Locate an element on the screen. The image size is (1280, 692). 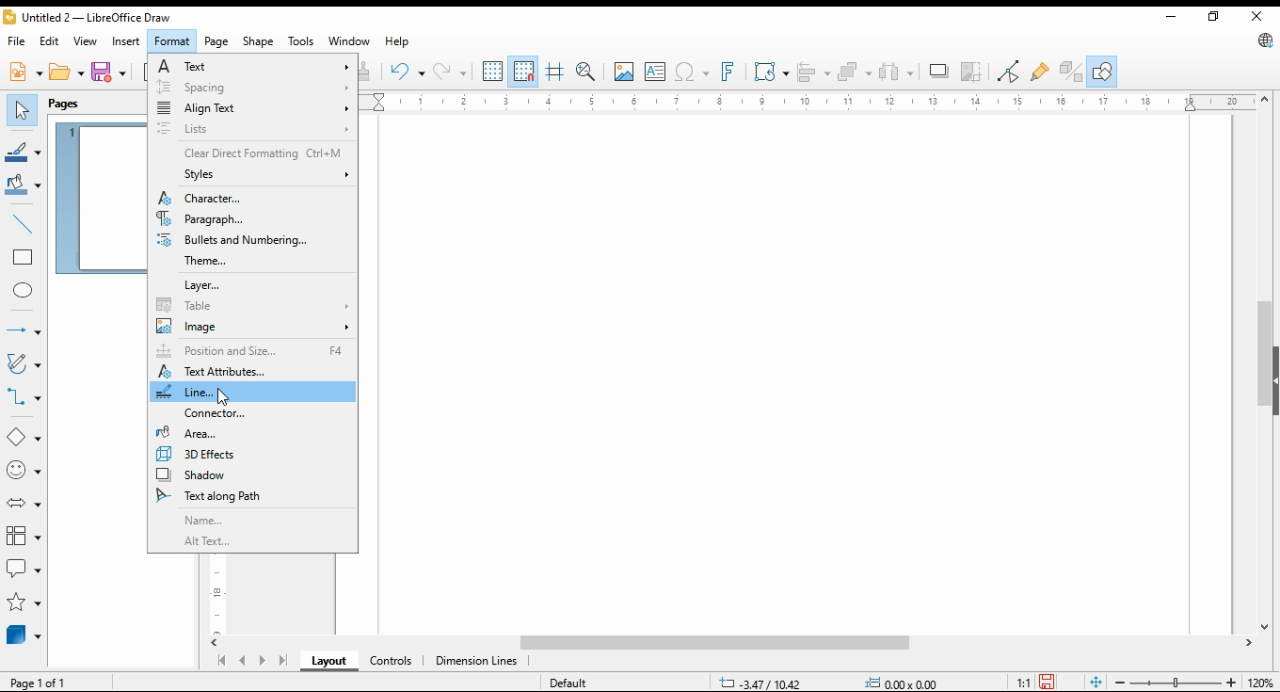
insert special characters is located at coordinates (690, 72).